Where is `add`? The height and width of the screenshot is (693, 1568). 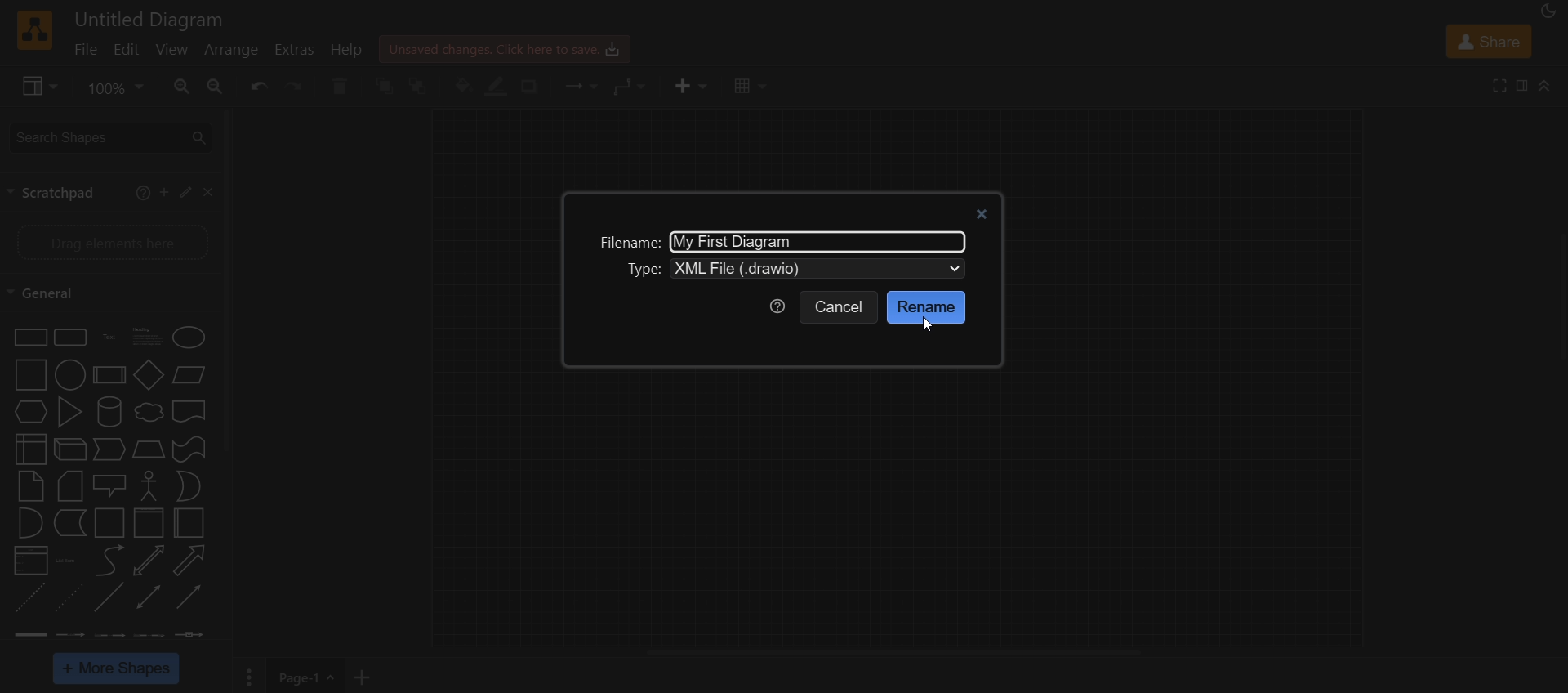
add is located at coordinates (163, 192).